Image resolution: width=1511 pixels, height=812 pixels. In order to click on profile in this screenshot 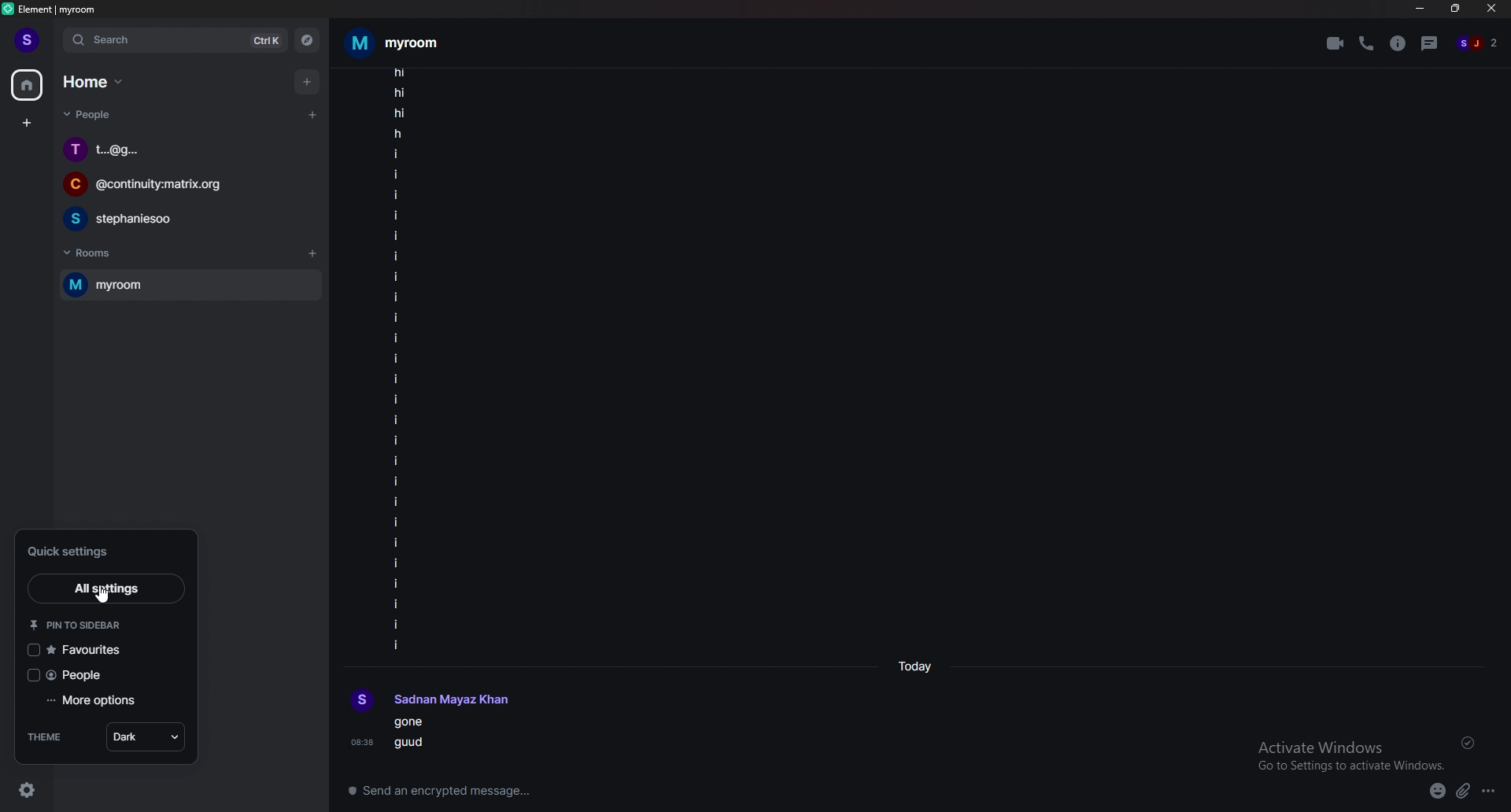, I will do `click(25, 41)`.